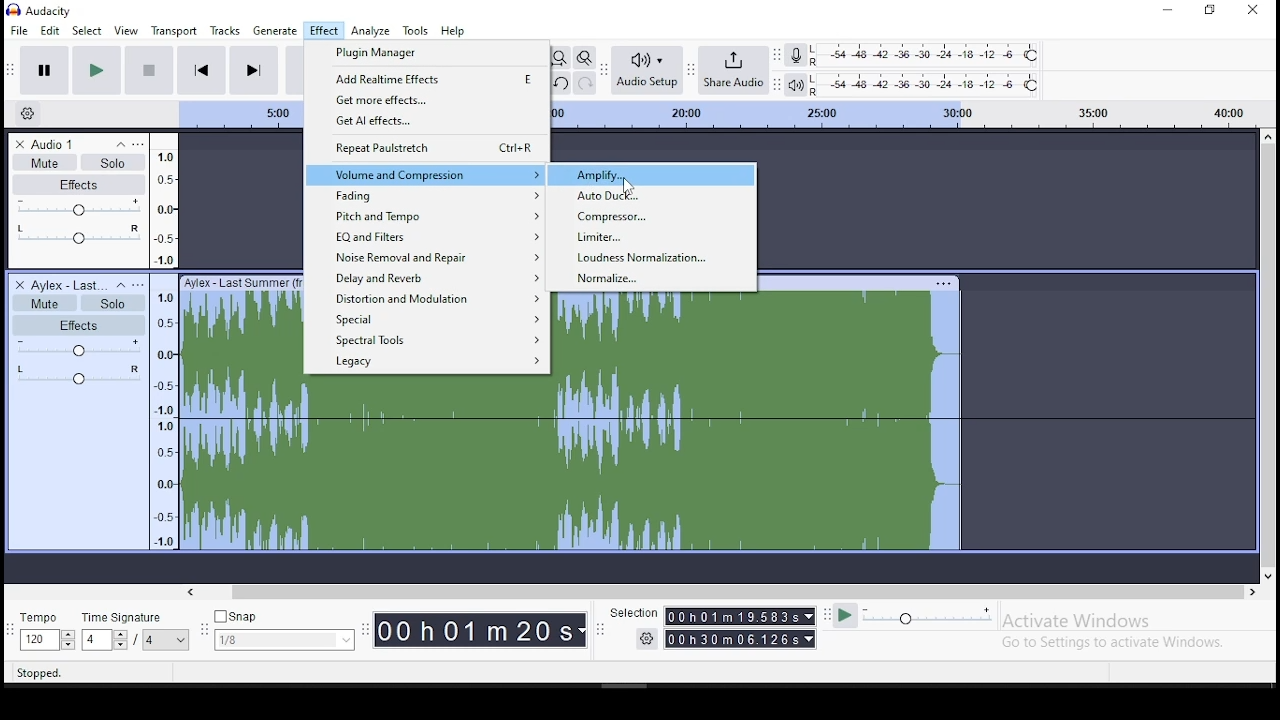 This screenshot has width=1280, height=720. What do you see at coordinates (736, 68) in the screenshot?
I see `share audio` at bounding box center [736, 68].